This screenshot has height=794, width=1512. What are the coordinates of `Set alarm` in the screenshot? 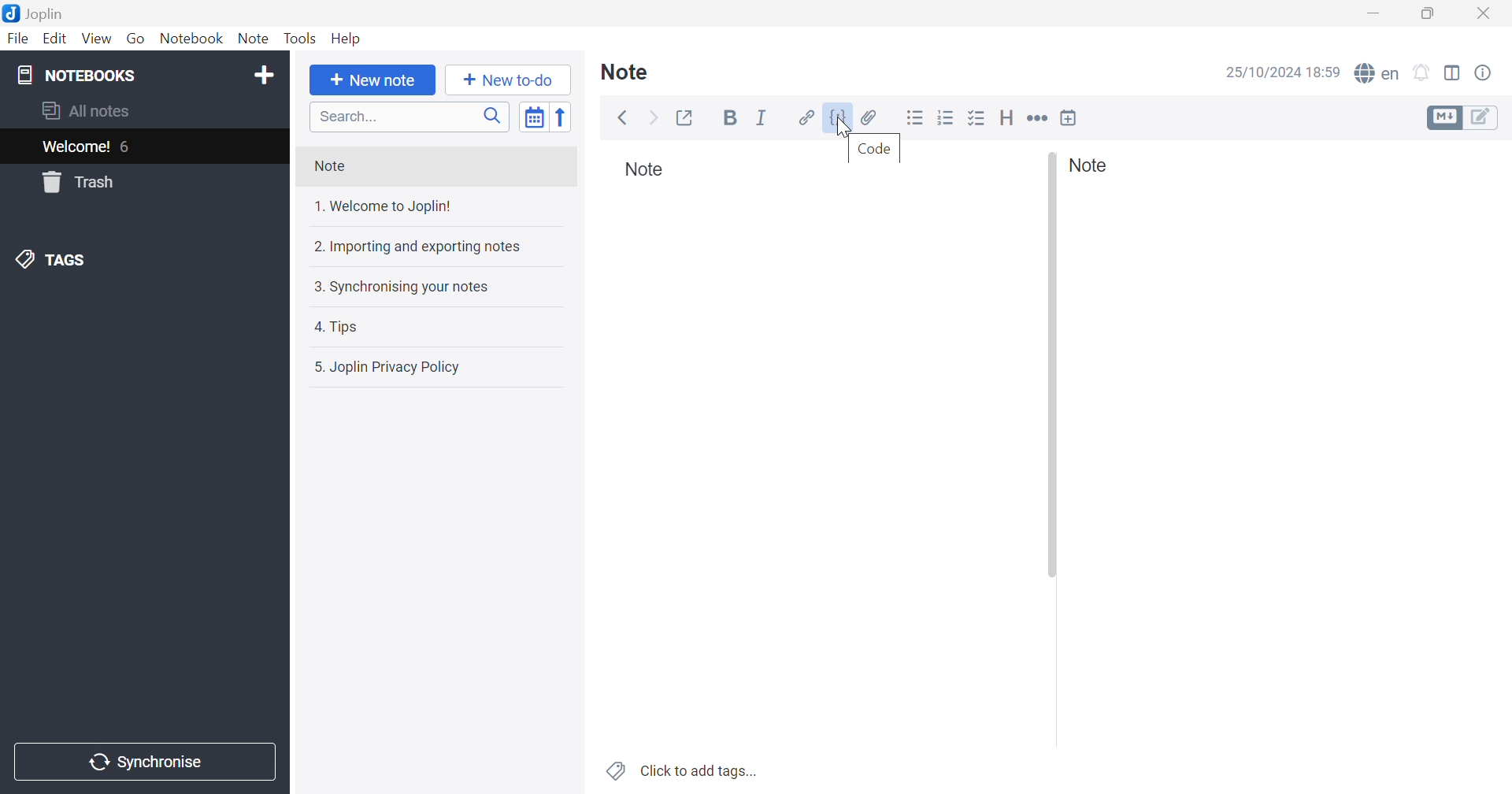 It's located at (1423, 76).